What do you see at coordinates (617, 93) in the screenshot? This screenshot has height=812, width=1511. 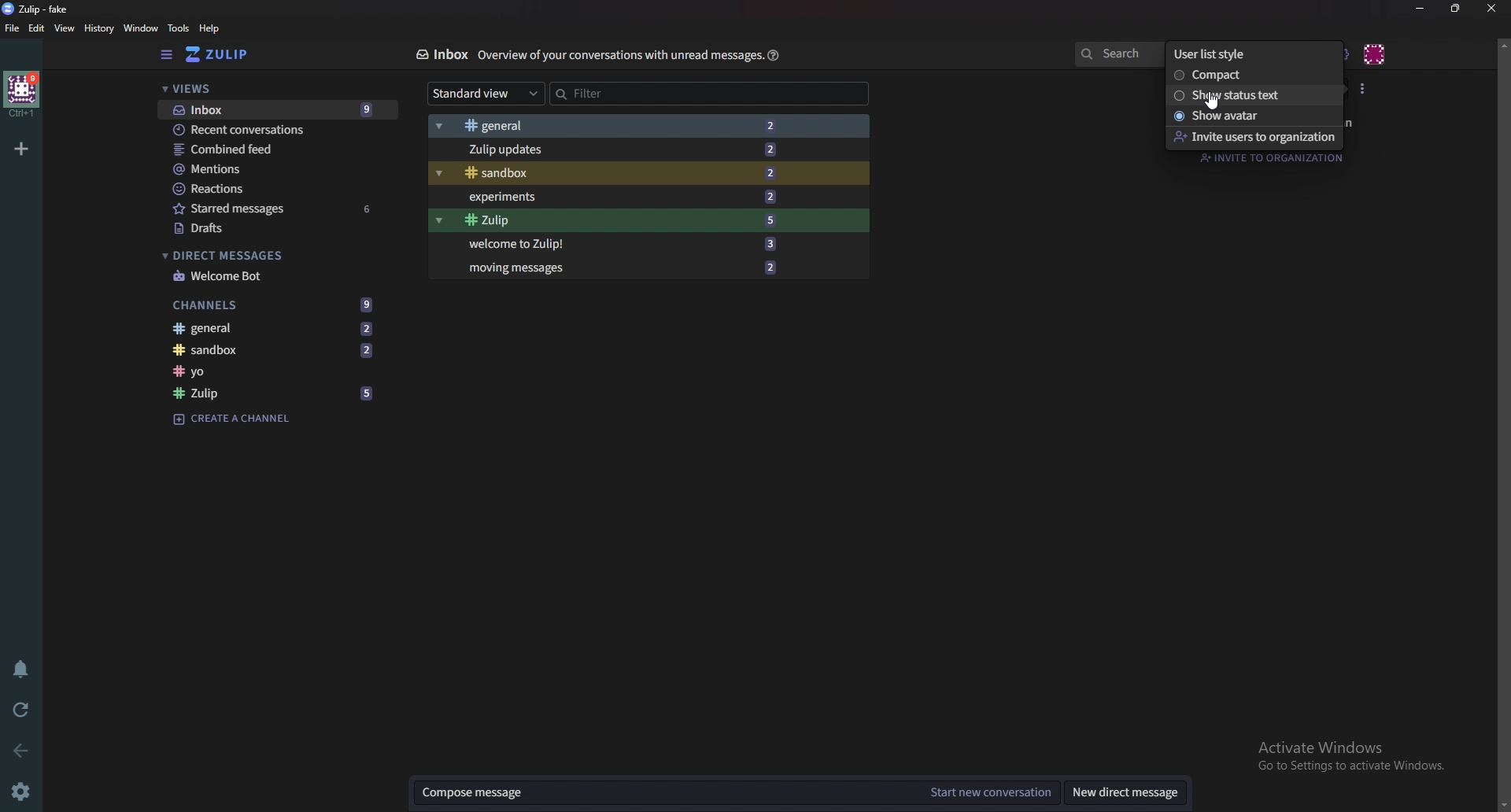 I see `Filter` at bounding box center [617, 93].